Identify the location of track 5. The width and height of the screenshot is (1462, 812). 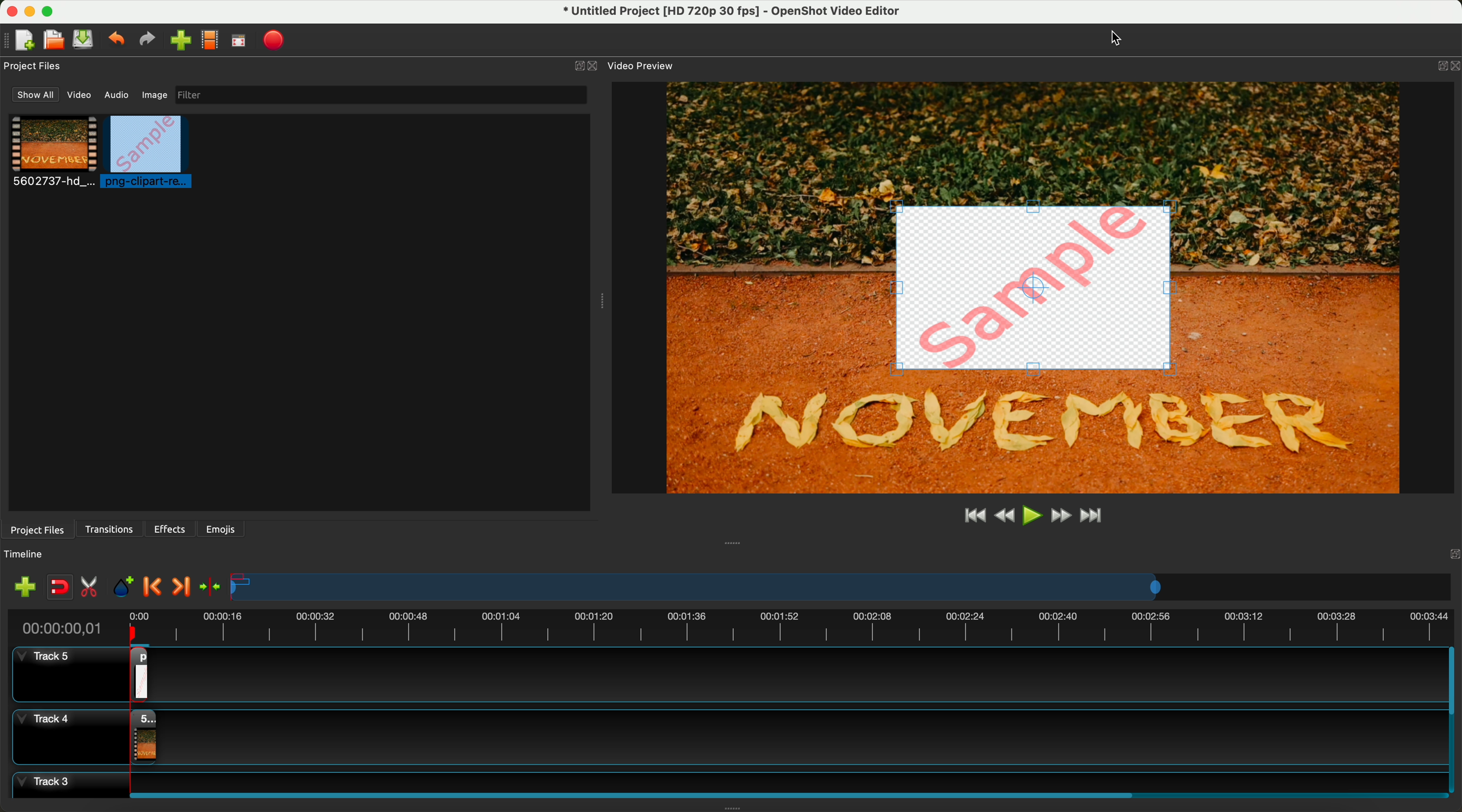
(60, 675).